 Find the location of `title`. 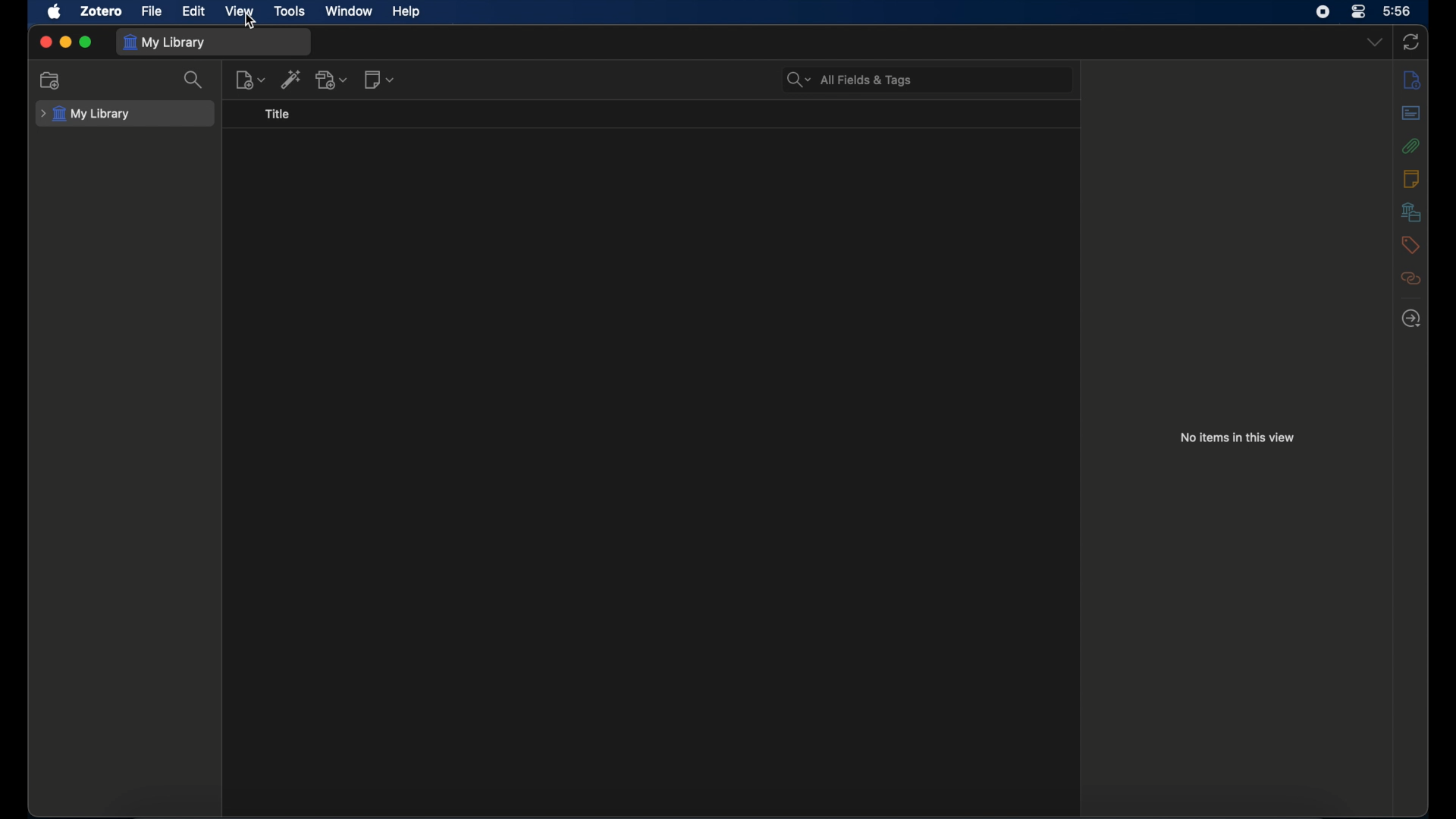

title is located at coordinates (278, 114).